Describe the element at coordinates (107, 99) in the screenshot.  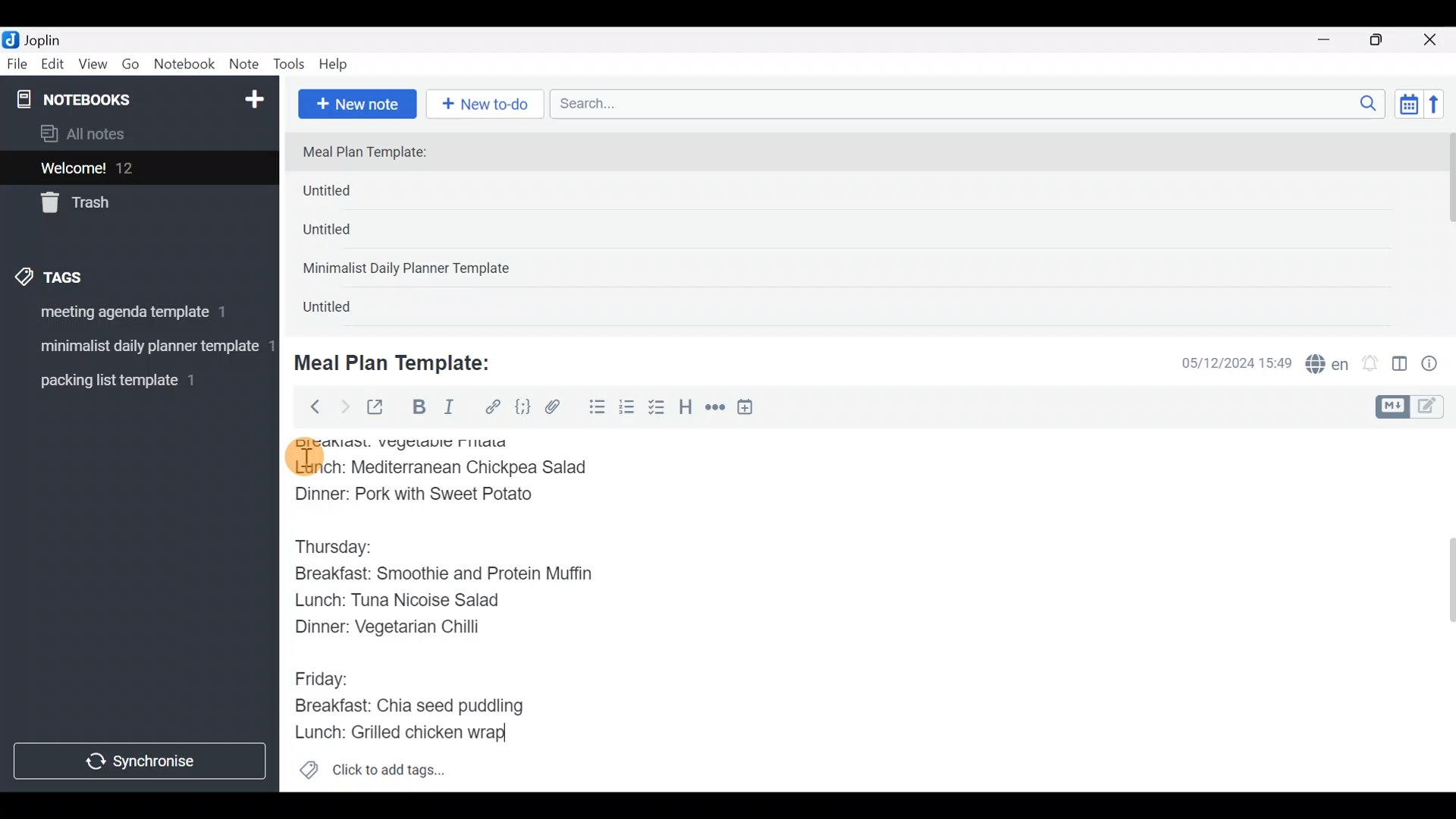
I see `Notebooks` at that location.